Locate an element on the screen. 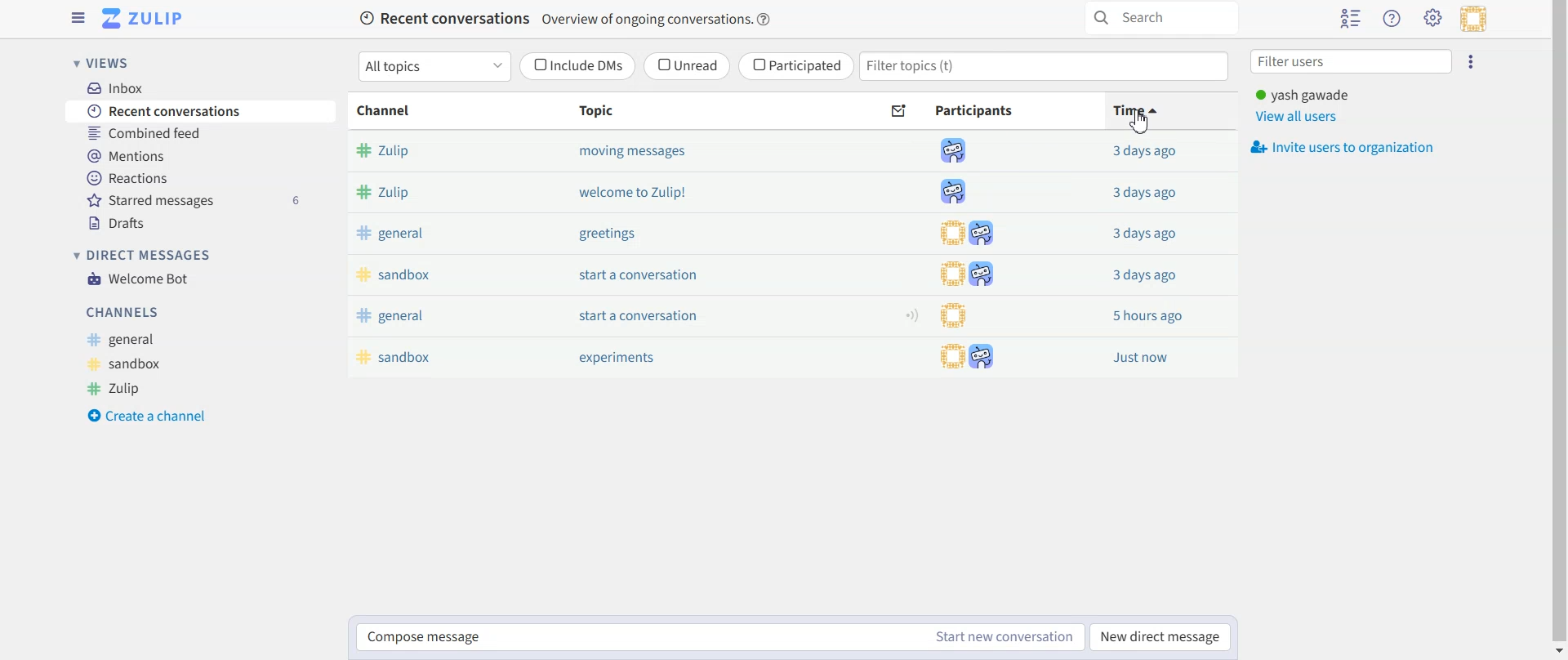 The height and width of the screenshot is (660, 1568). Include DMs is located at coordinates (578, 66).